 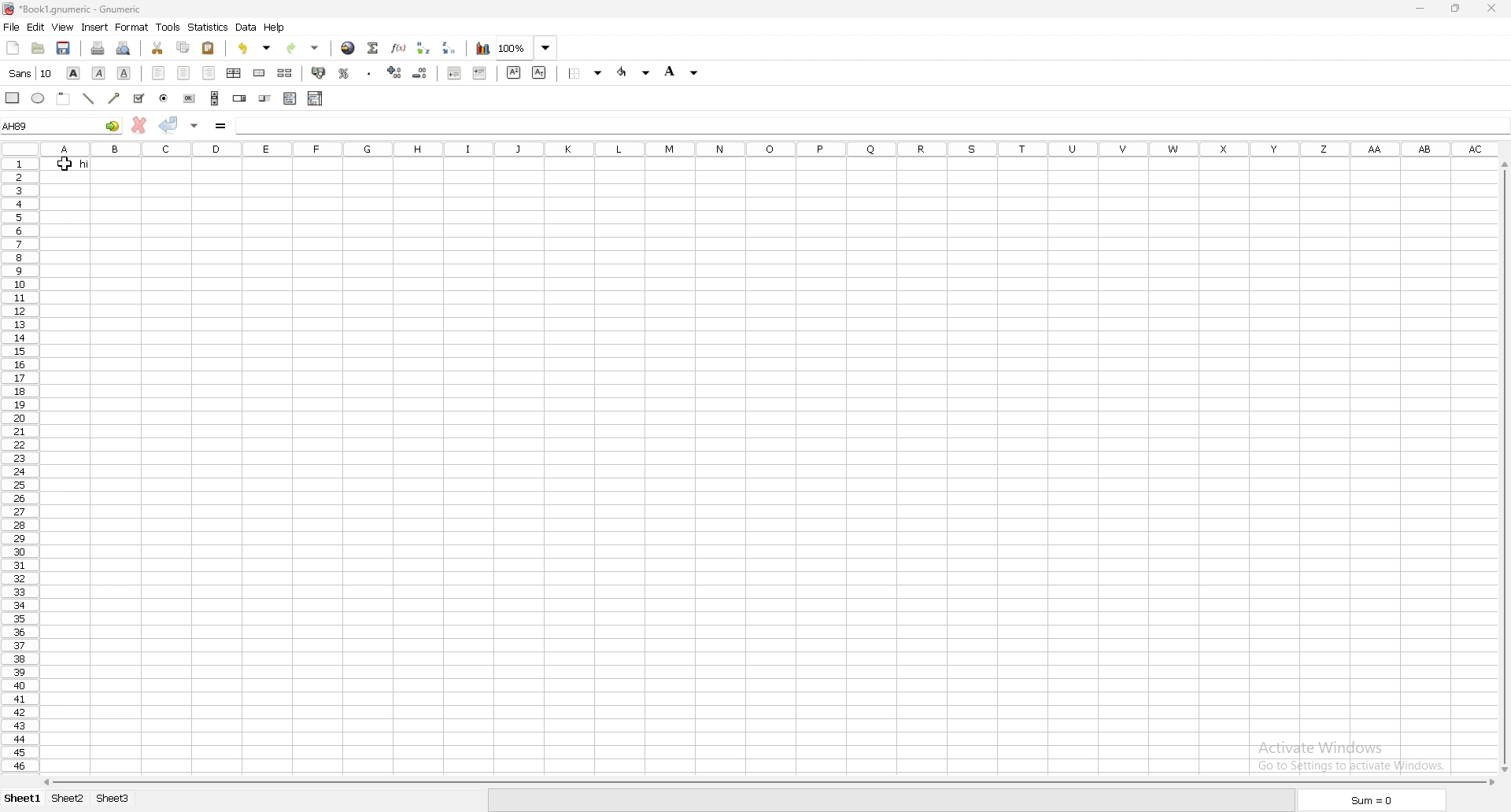 What do you see at coordinates (190, 98) in the screenshot?
I see `button` at bounding box center [190, 98].